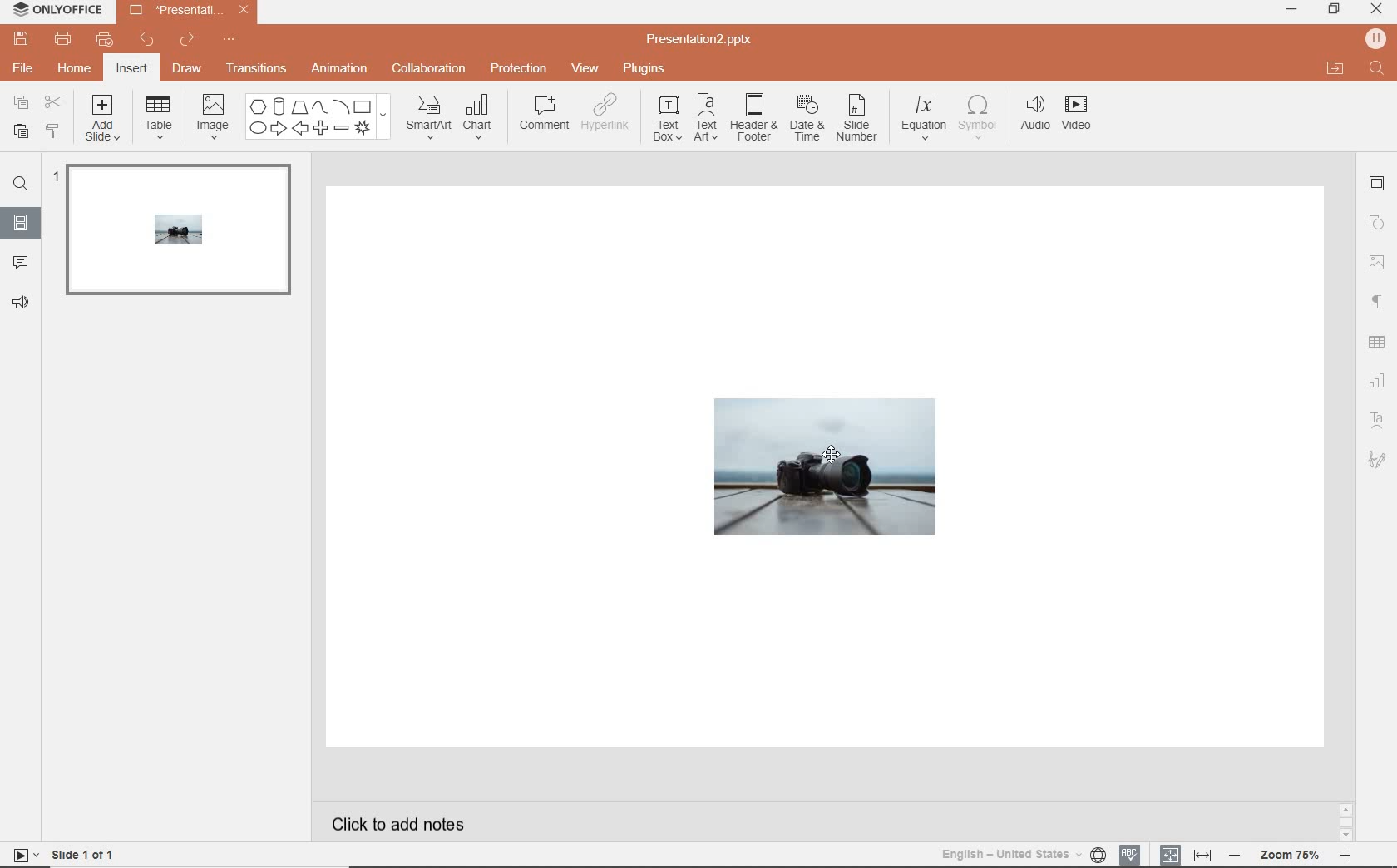 The width and height of the screenshot is (1397, 868). I want to click on restore, so click(1335, 11).